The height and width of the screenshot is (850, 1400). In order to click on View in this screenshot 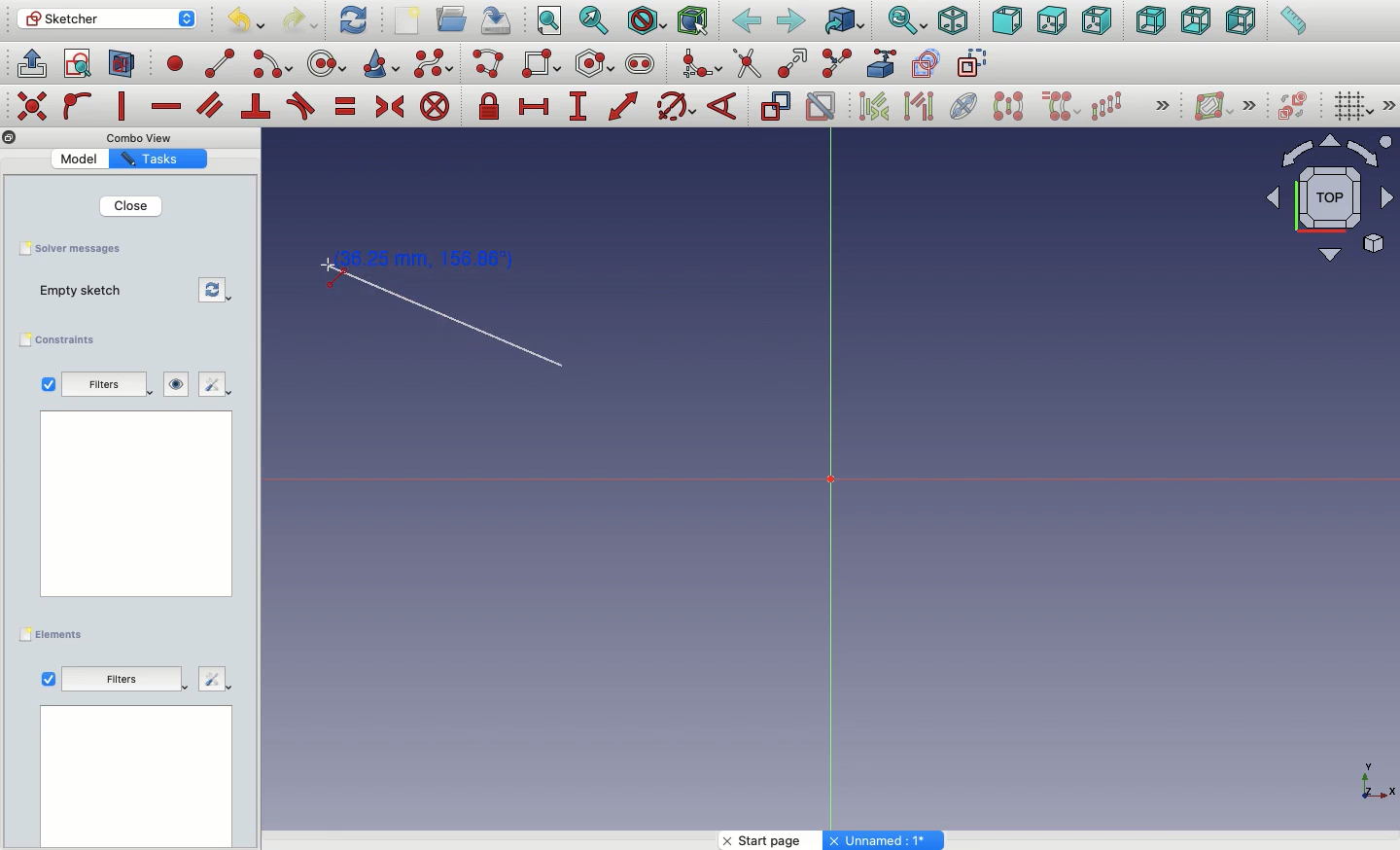, I will do `click(48, 678)`.